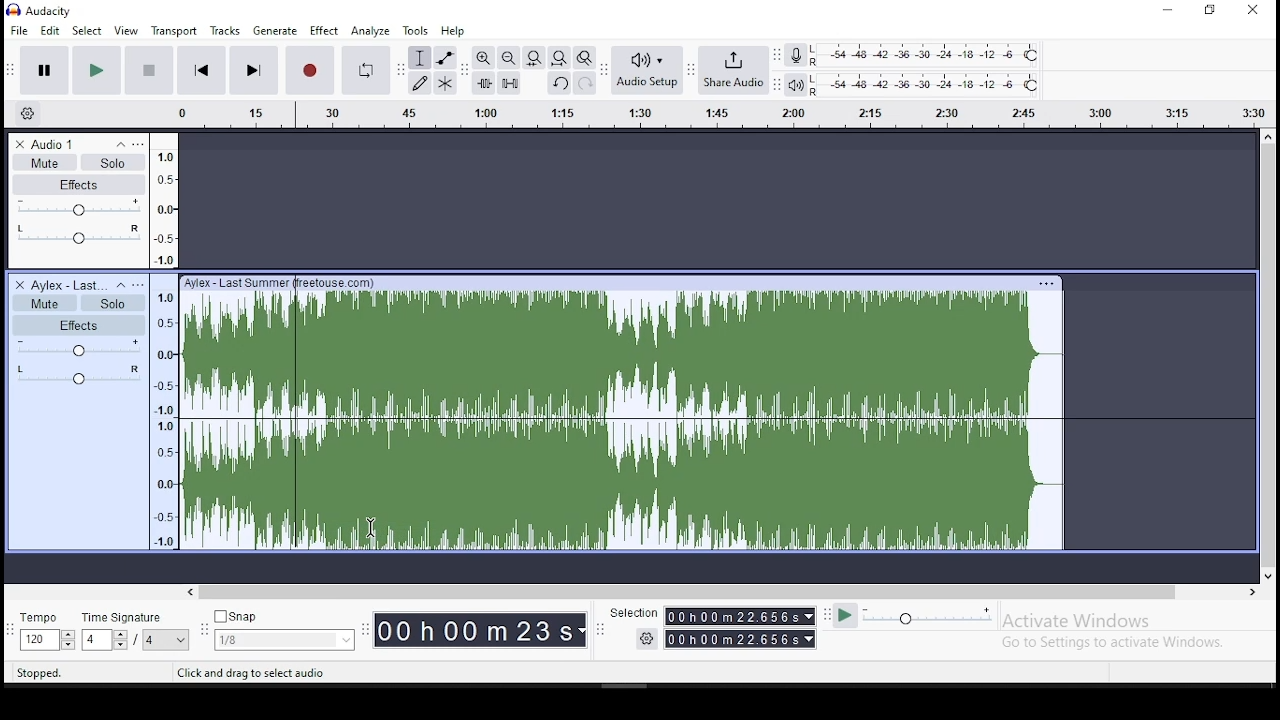 The height and width of the screenshot is (720, 1280). What do you see at coordinates (698, 116) in the screenshot?
I see `open menu` at bounding box center [698, 116].